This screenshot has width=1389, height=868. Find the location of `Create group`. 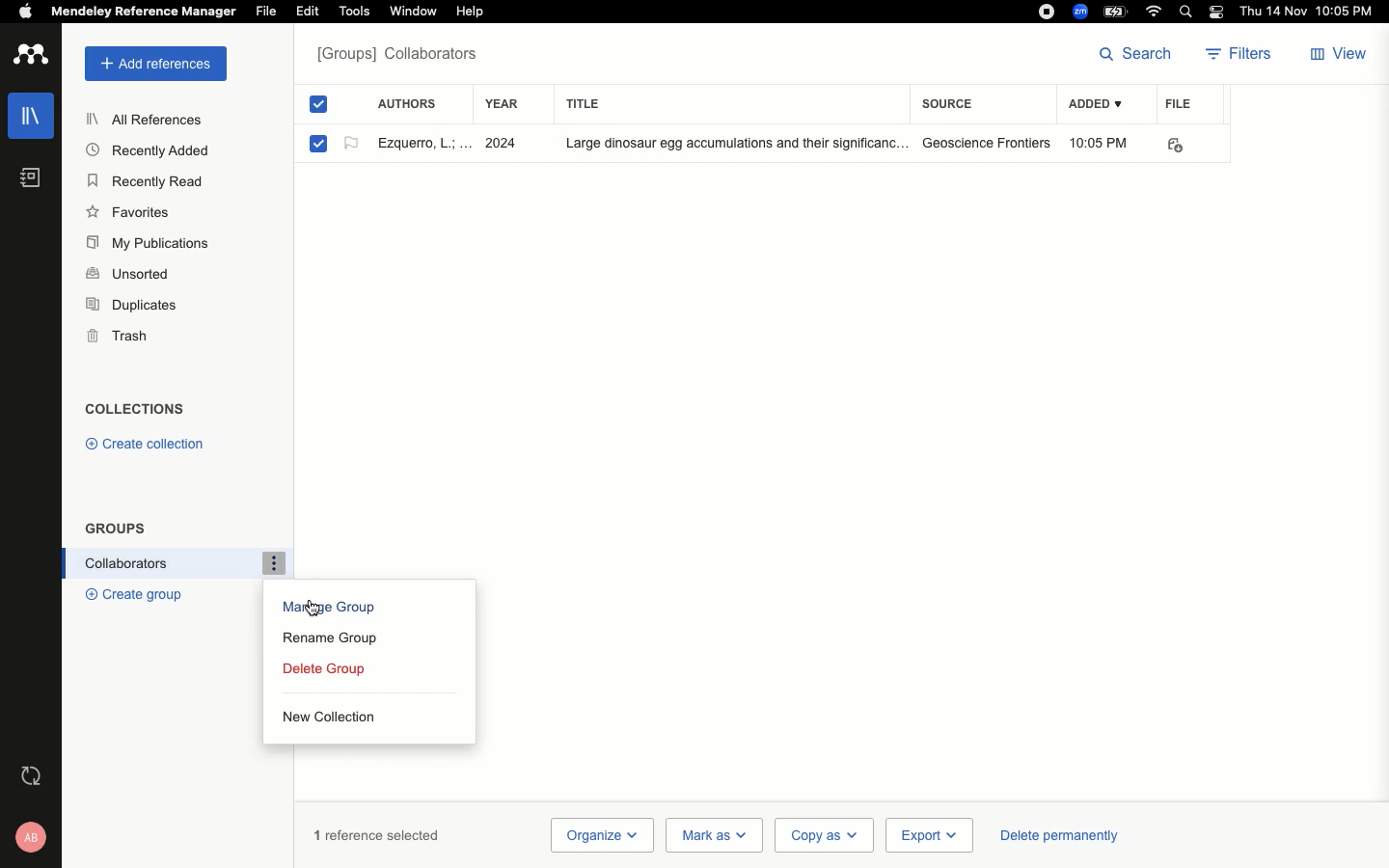

Create group is located at coordinates (133, 595).